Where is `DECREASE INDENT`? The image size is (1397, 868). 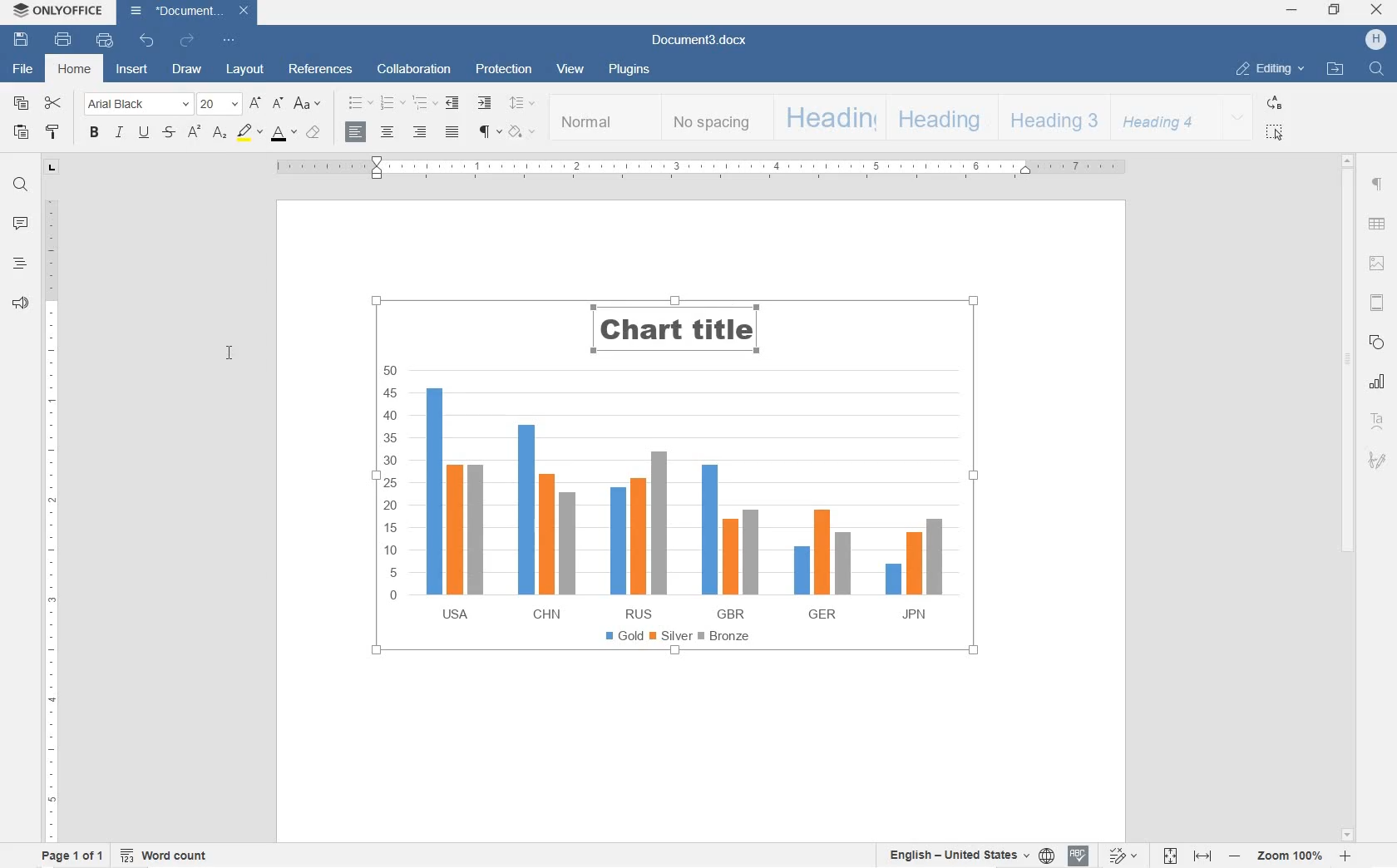 DECREASE INDENT is located at coordinates (451, 104).